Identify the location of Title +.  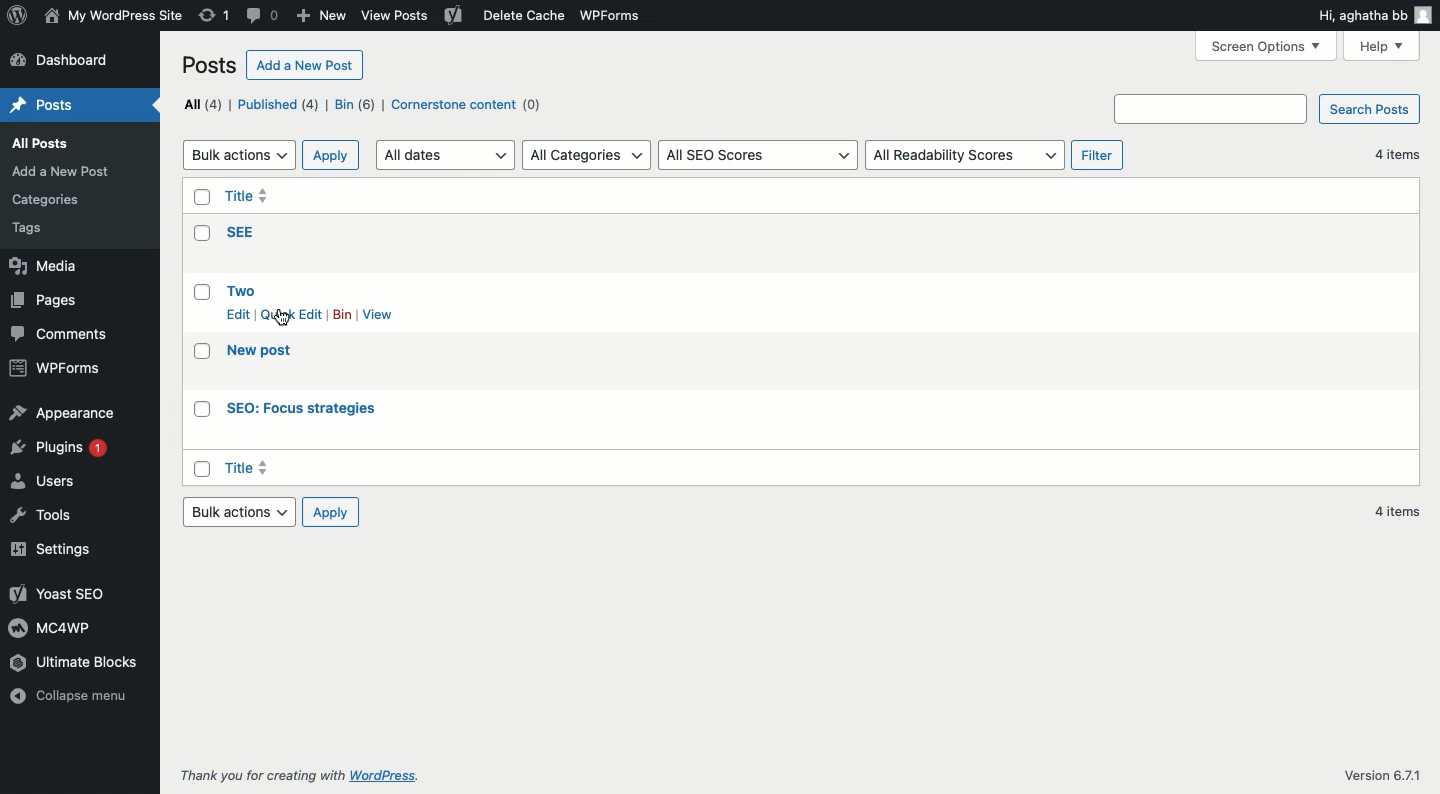
(249, 468).